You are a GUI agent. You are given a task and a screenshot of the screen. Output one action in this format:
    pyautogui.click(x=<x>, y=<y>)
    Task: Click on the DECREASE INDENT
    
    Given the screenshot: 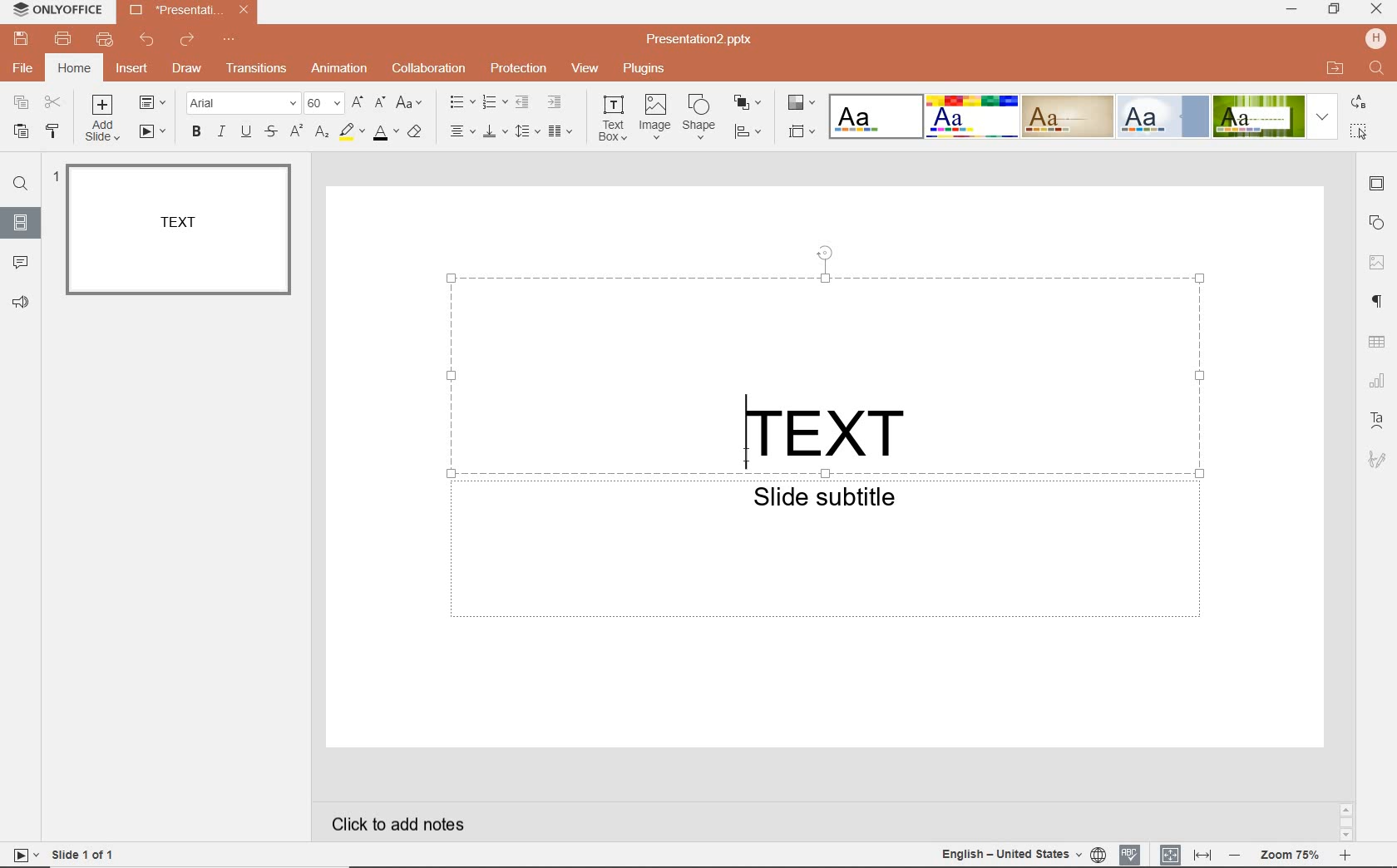 What is the action you would take?
    pyautogui.click(x=522, y=104)
    